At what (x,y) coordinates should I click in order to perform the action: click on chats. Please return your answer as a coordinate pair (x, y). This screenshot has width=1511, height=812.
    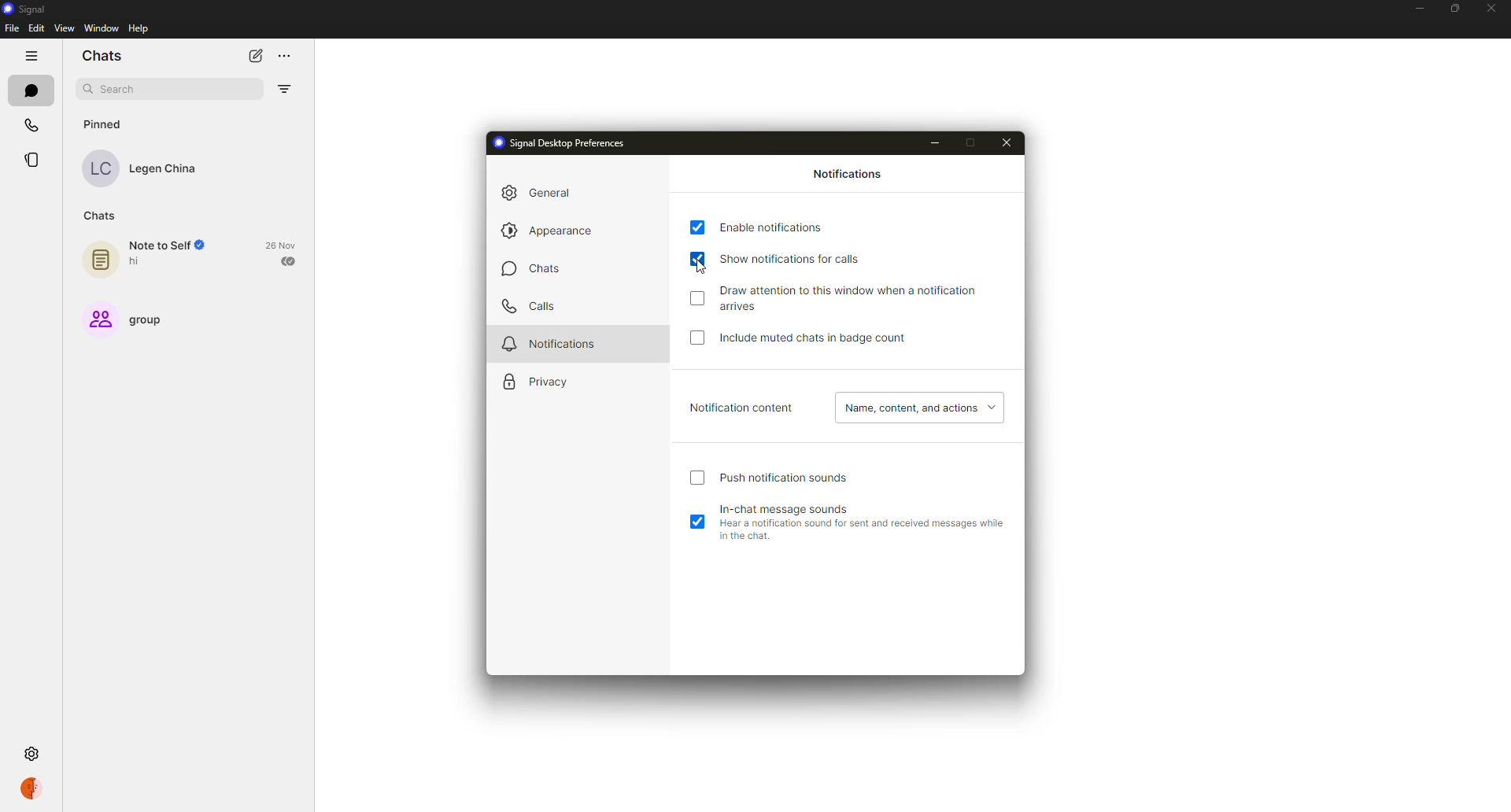
    Looking at the image, I should click on (102, 214).